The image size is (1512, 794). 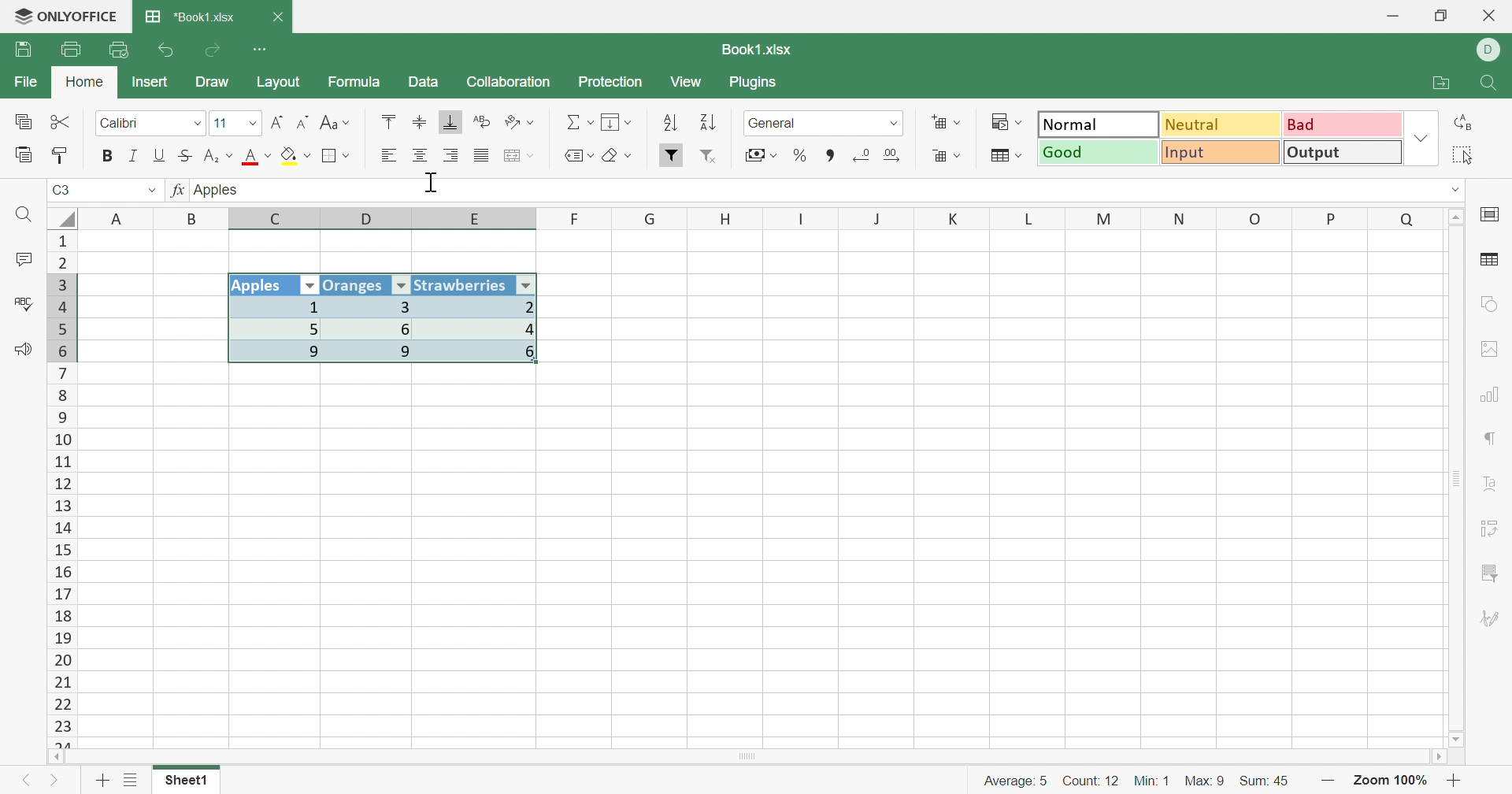 I want to click on E, so click(x=480, y=221).